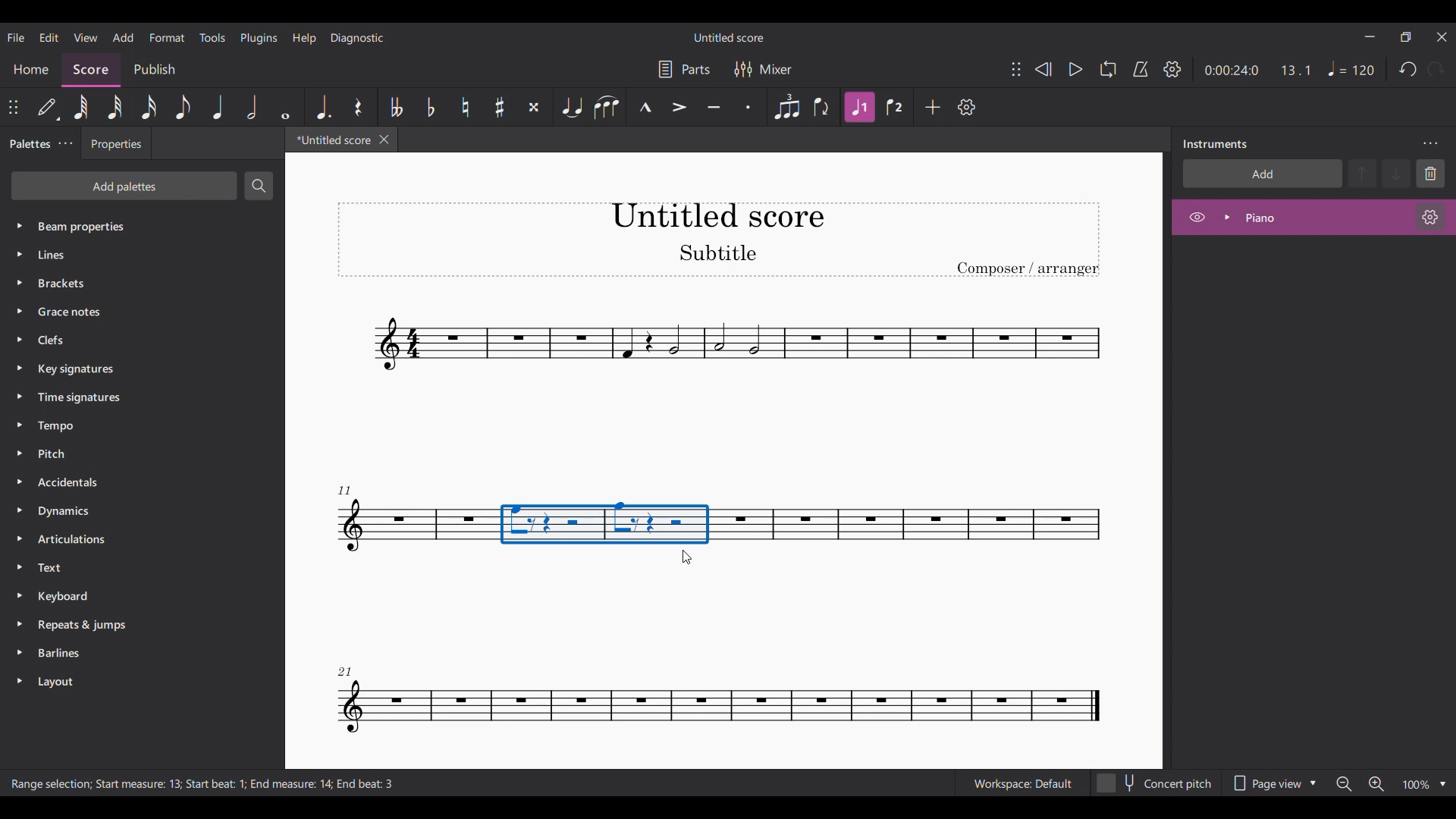  What do you see at coordinates (1301, 217) in the screenshot?
I see `Piano` at bounding box center [1301, 217].